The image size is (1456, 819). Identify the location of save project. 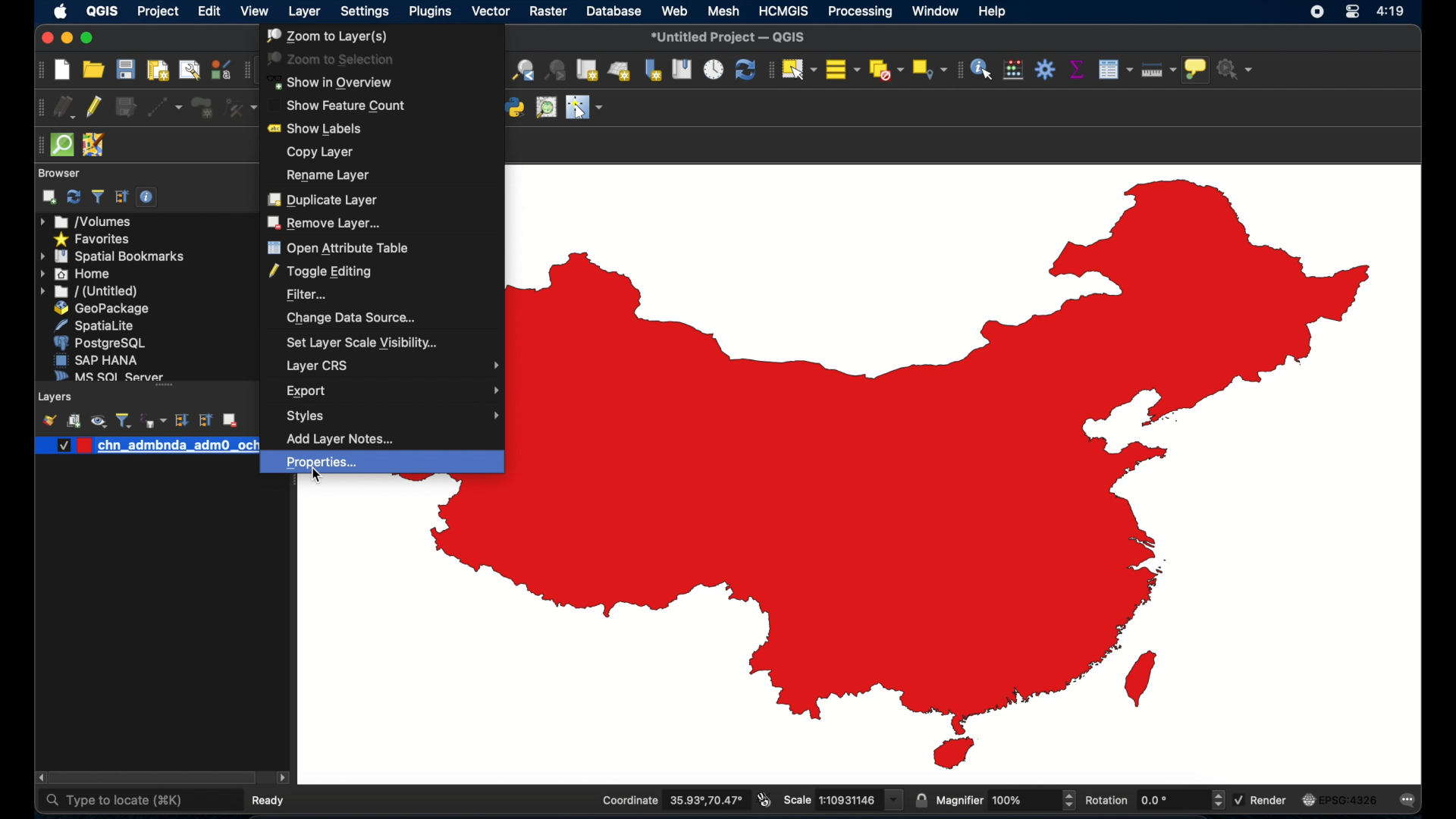
(124, 69).